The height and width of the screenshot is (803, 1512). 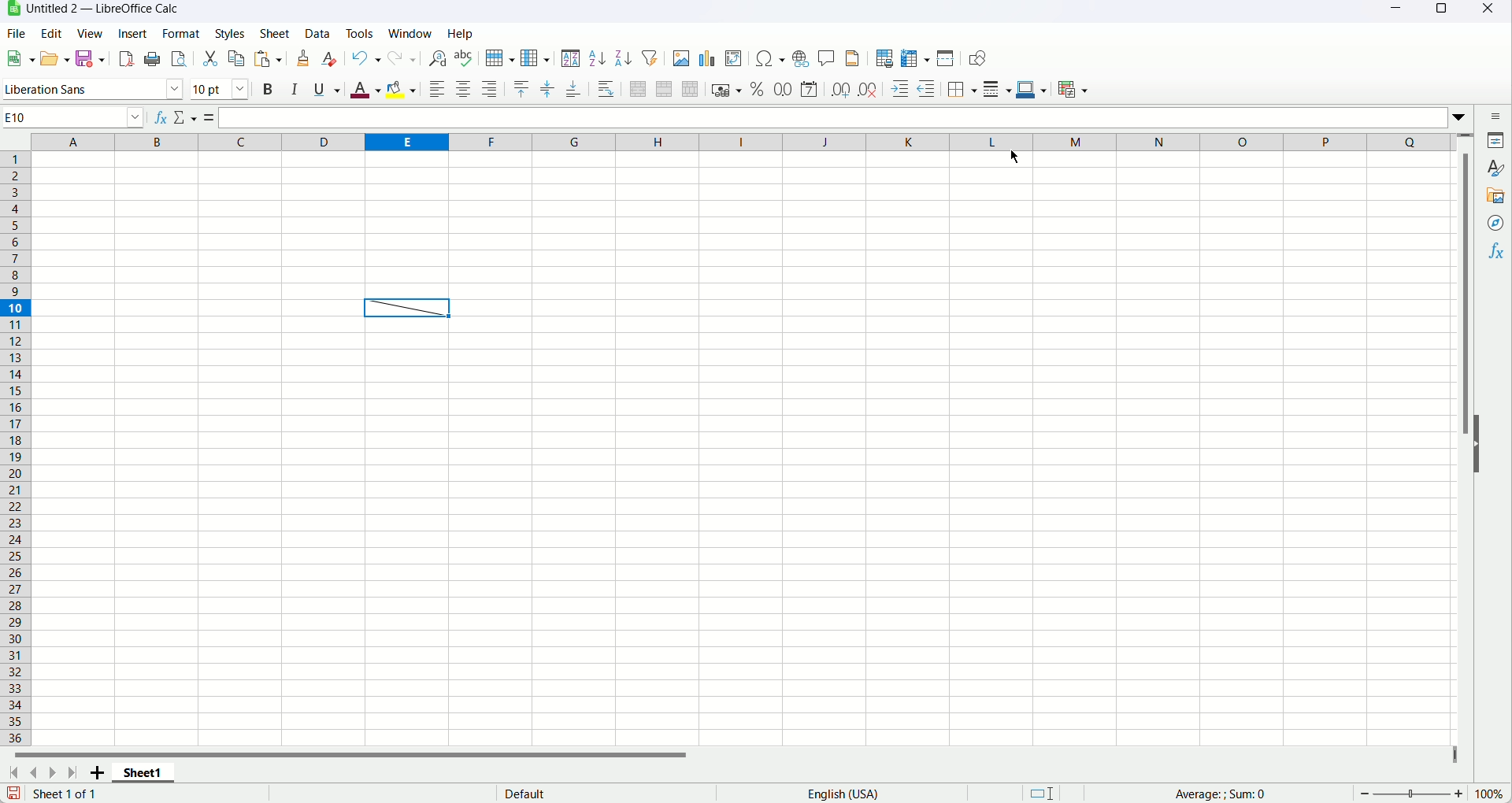 What do you see at coordinates (17, 32) in the screenshot?
I see `File` at bounding box center [17, 32].